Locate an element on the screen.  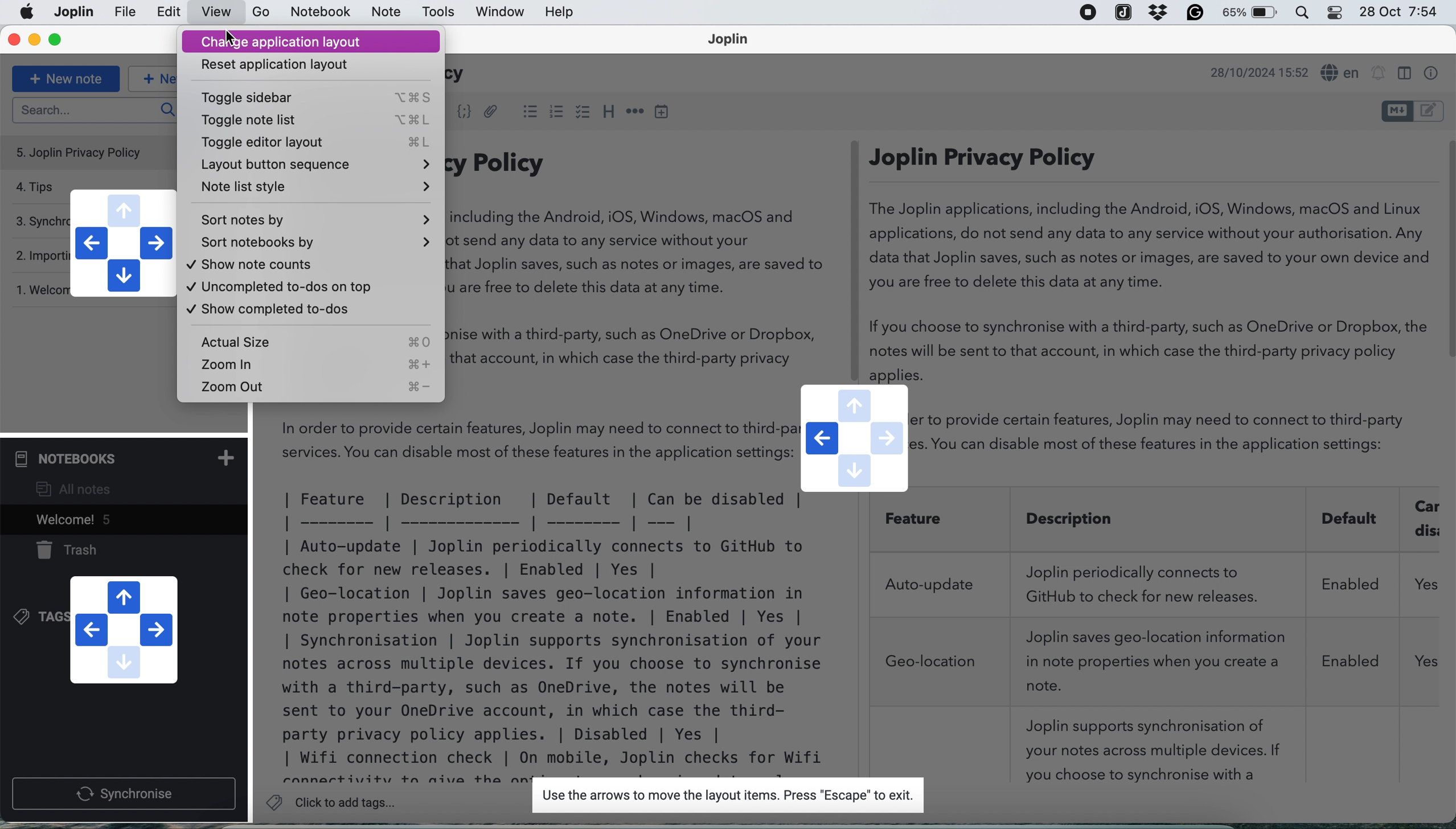
Toggle editor layout is located at coordinates (313, 144).